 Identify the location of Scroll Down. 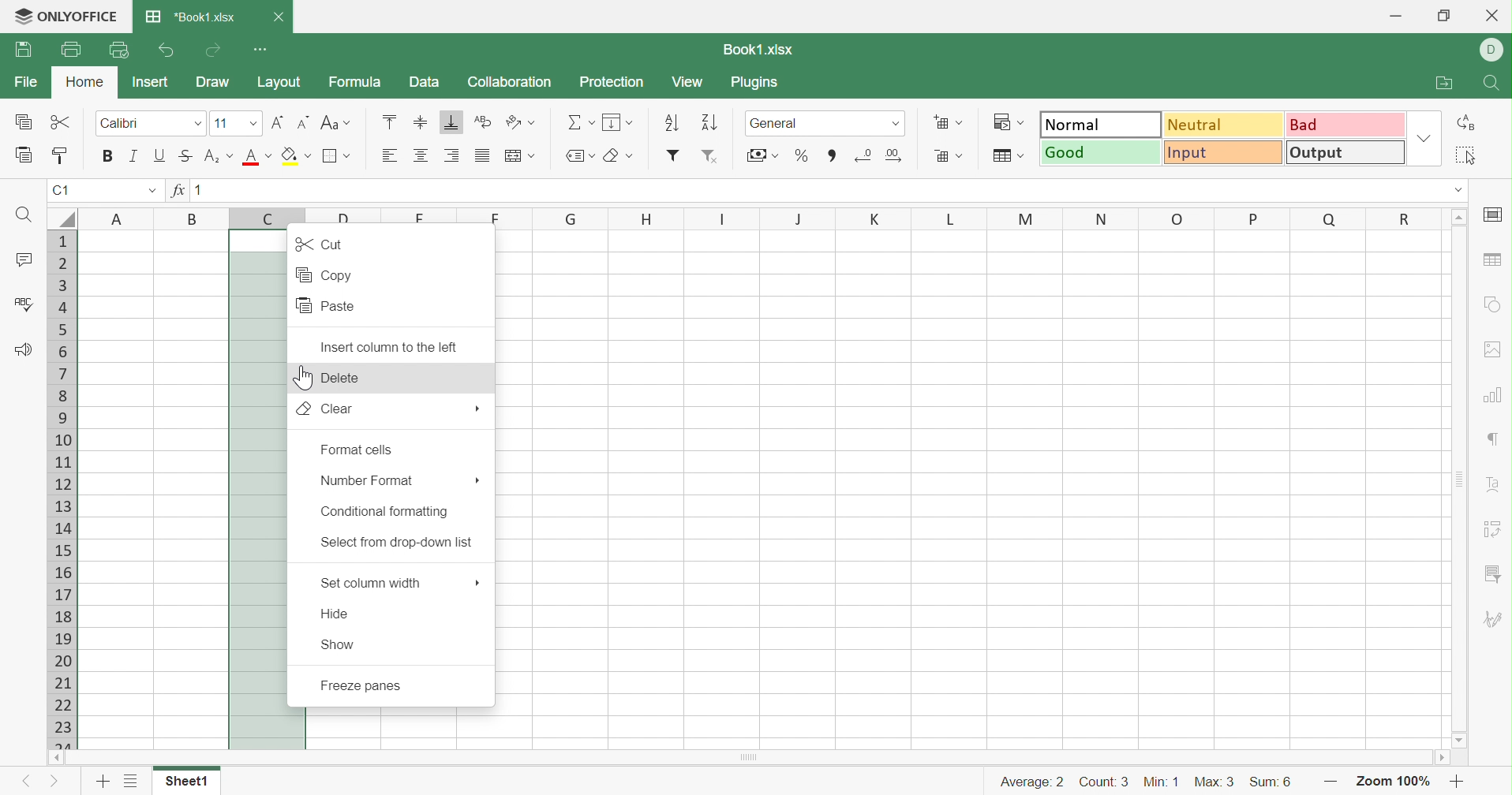
(1462, 741).